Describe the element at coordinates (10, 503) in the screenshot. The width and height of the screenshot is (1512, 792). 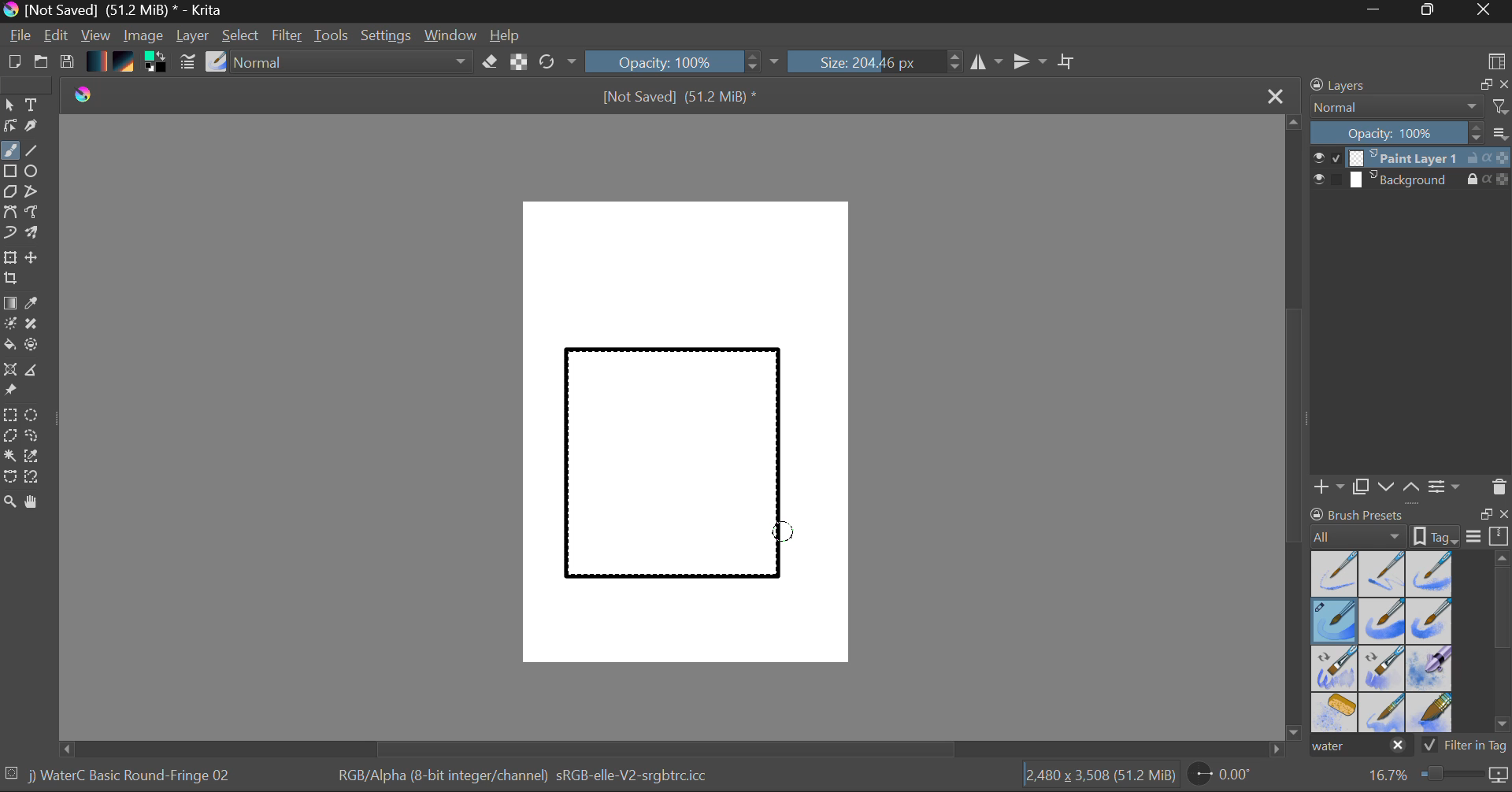
I see `Zoom` at that location.